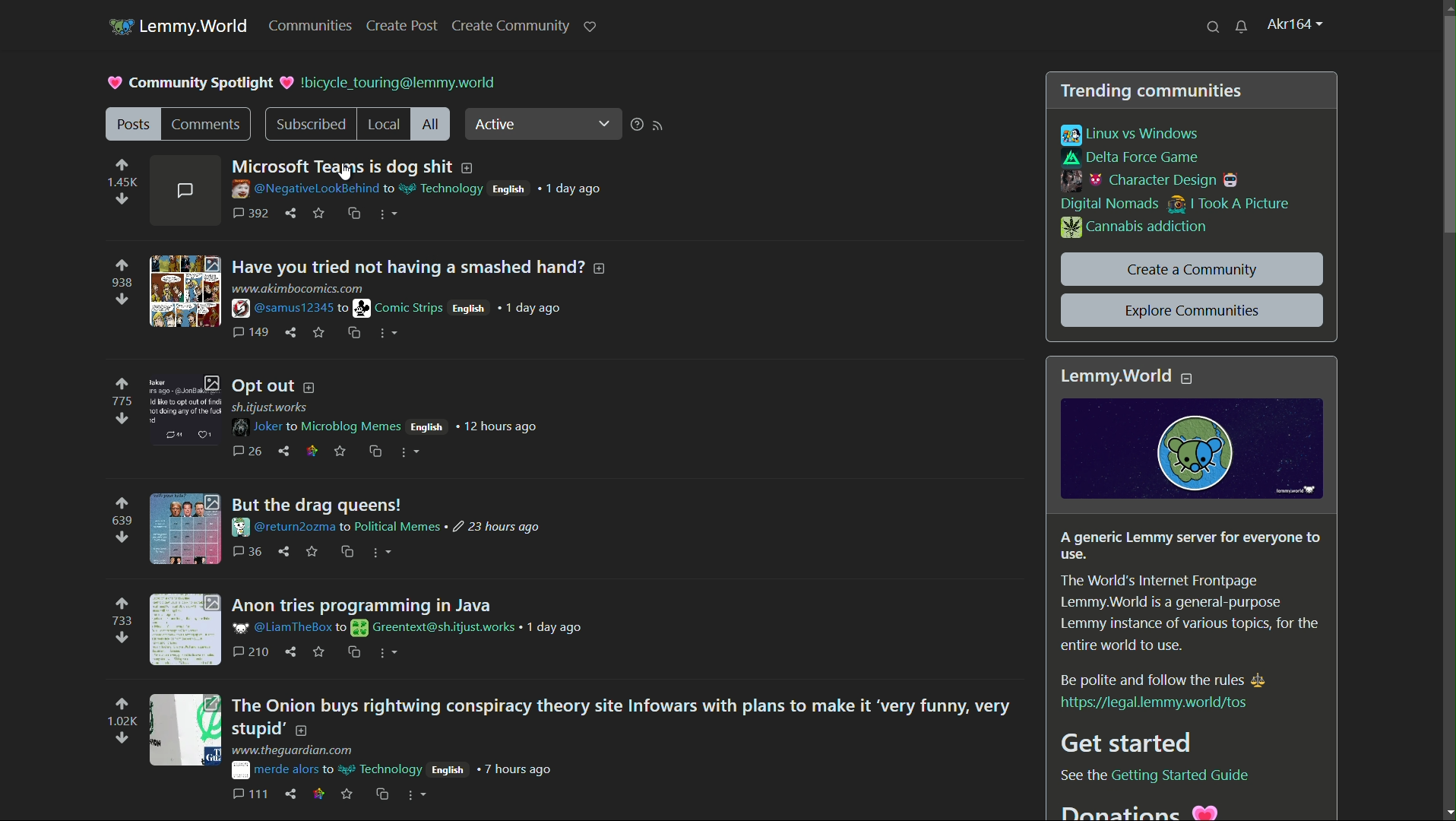 This screenshot has height=821, width=1456. I want to click on get started, so click(1133, 744).